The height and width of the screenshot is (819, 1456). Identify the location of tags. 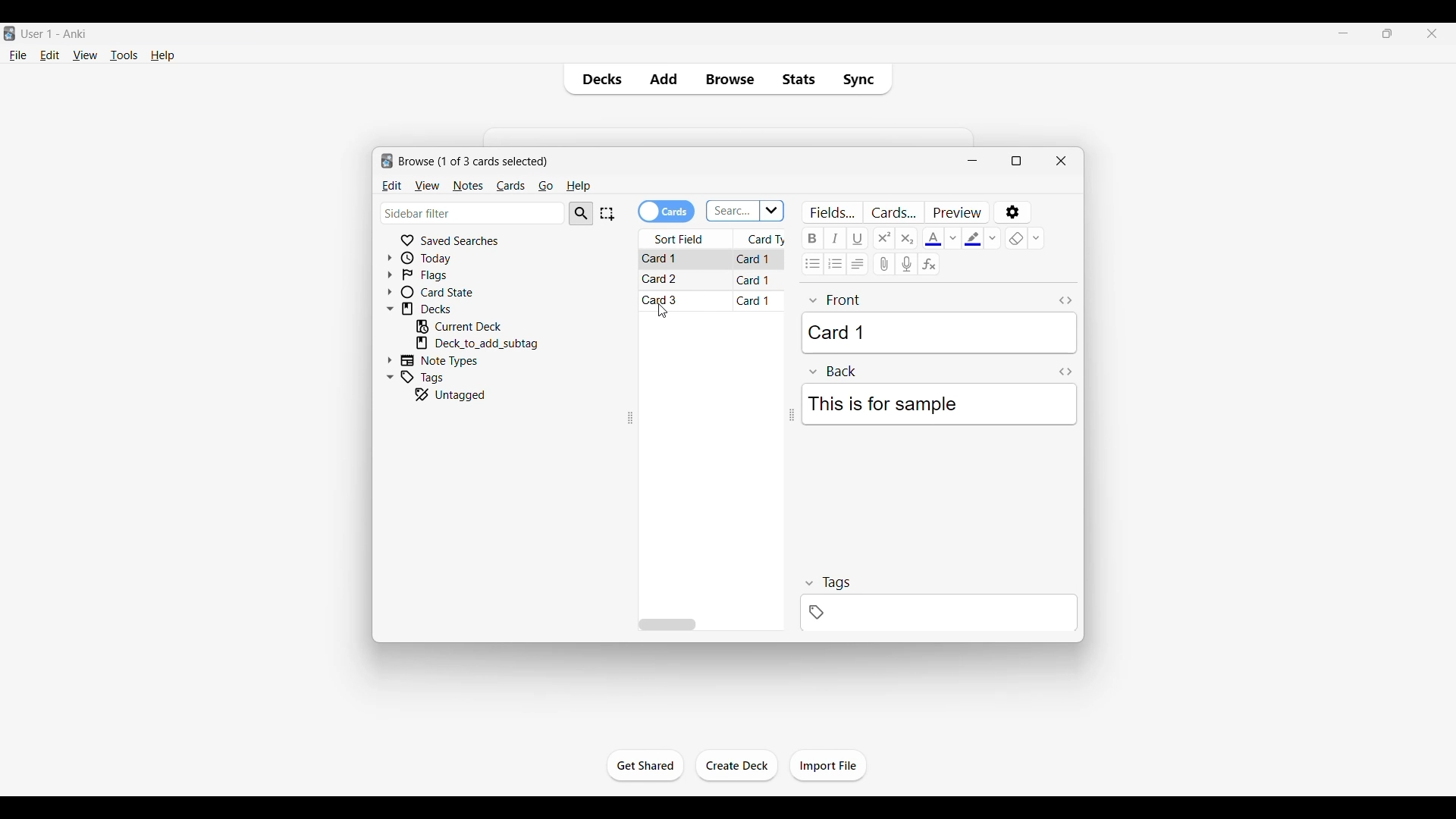
(827, 582).